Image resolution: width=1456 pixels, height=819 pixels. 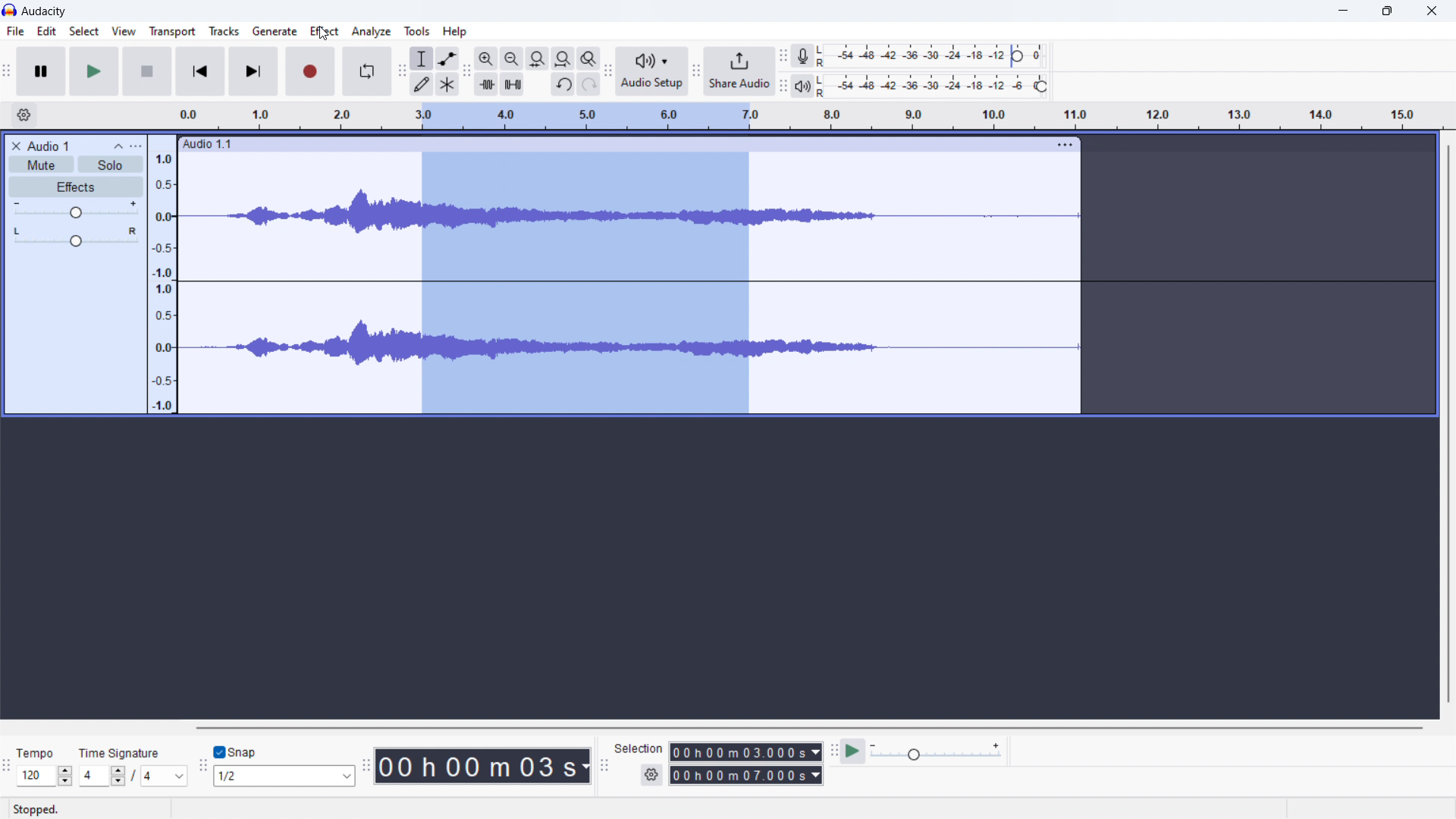 What do you see at coordinates (147, 71) in the screenshot?
I see `stop` at bounding box center [147, 71].